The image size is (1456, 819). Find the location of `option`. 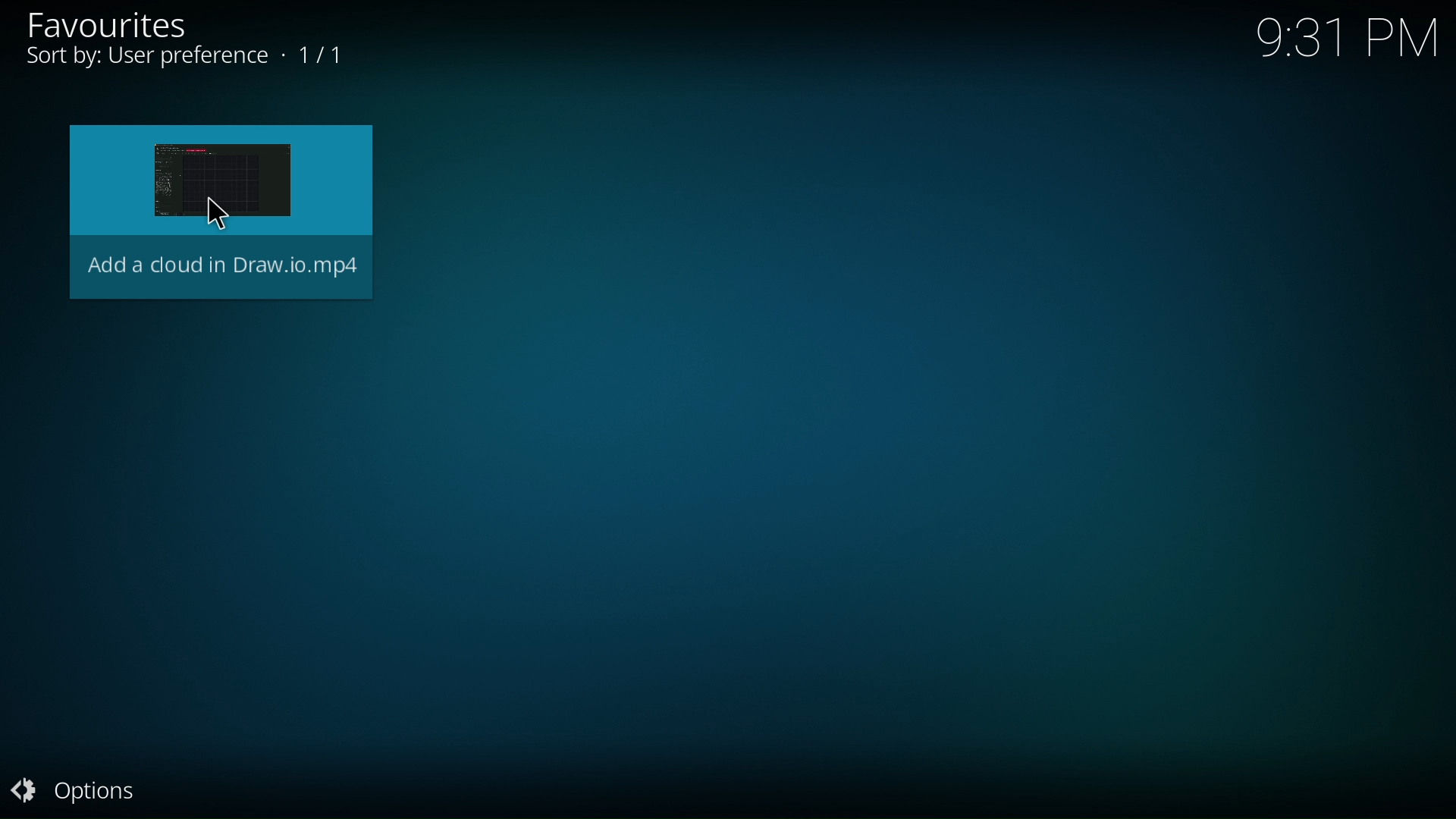

option is located at coordinates (88, 791).